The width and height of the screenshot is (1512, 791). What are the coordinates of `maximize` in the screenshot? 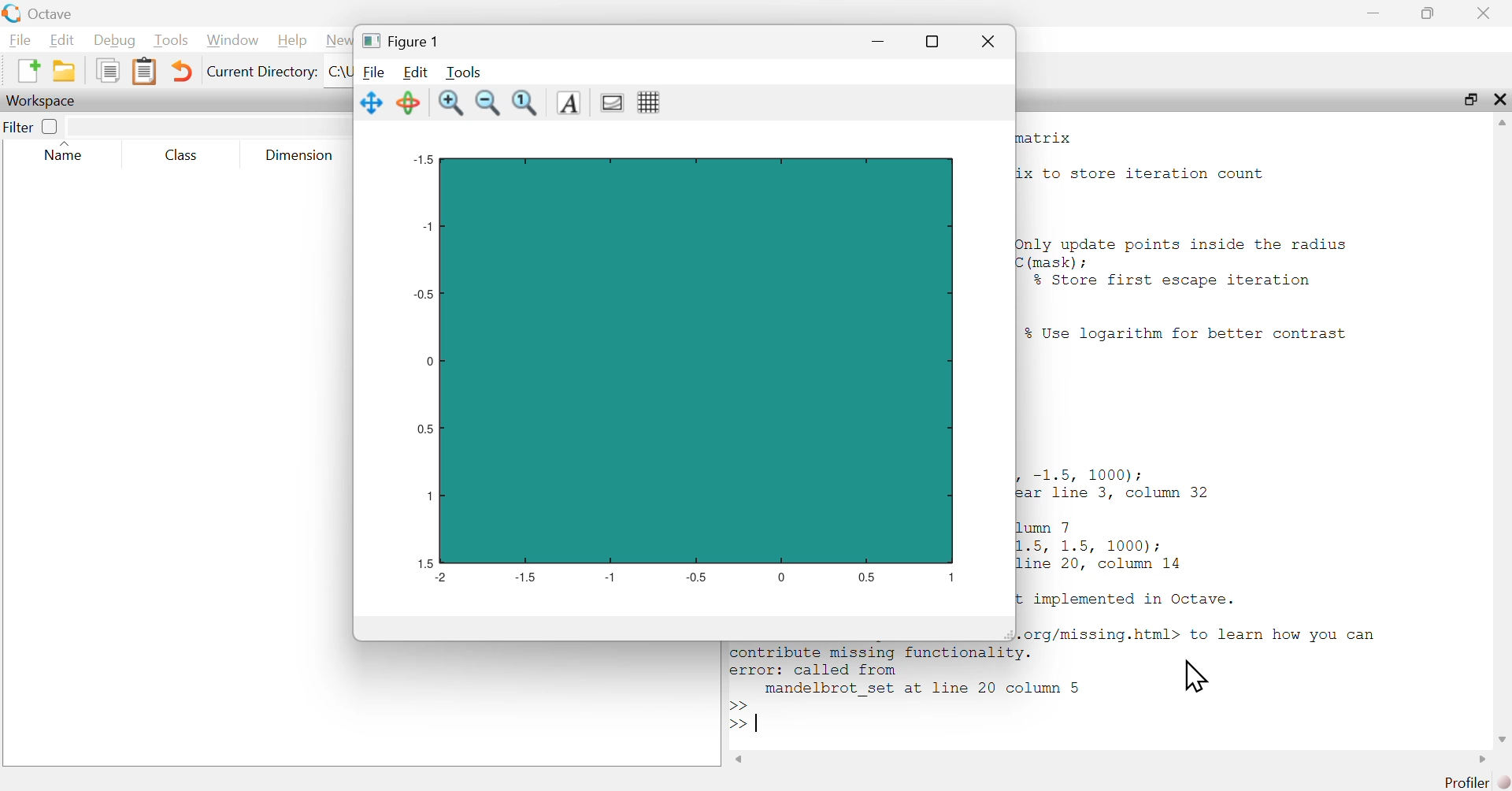 It's located at (930, 41).